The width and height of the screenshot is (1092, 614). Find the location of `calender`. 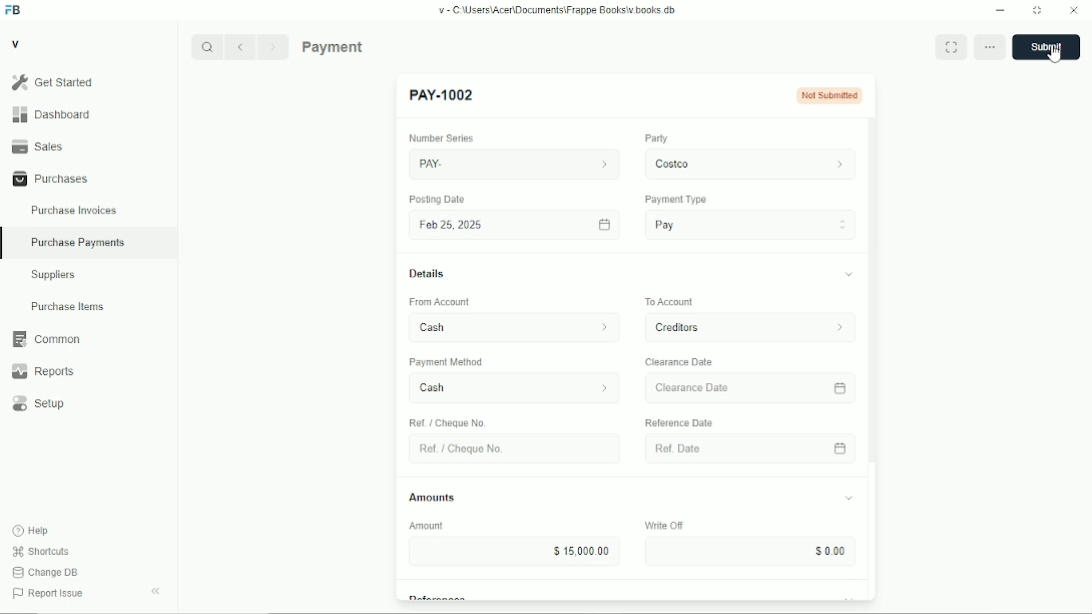

calender is located at coordinates (843, 386).